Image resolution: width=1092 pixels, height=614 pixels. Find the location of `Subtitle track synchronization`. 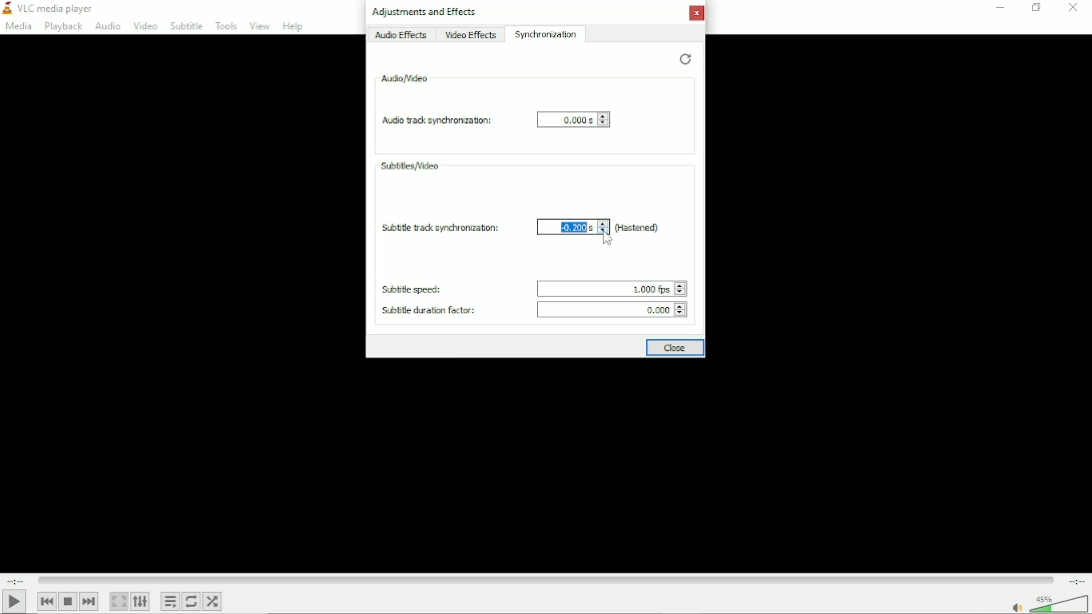

Subtitle track synchronization is located at coordinates (443, 231).